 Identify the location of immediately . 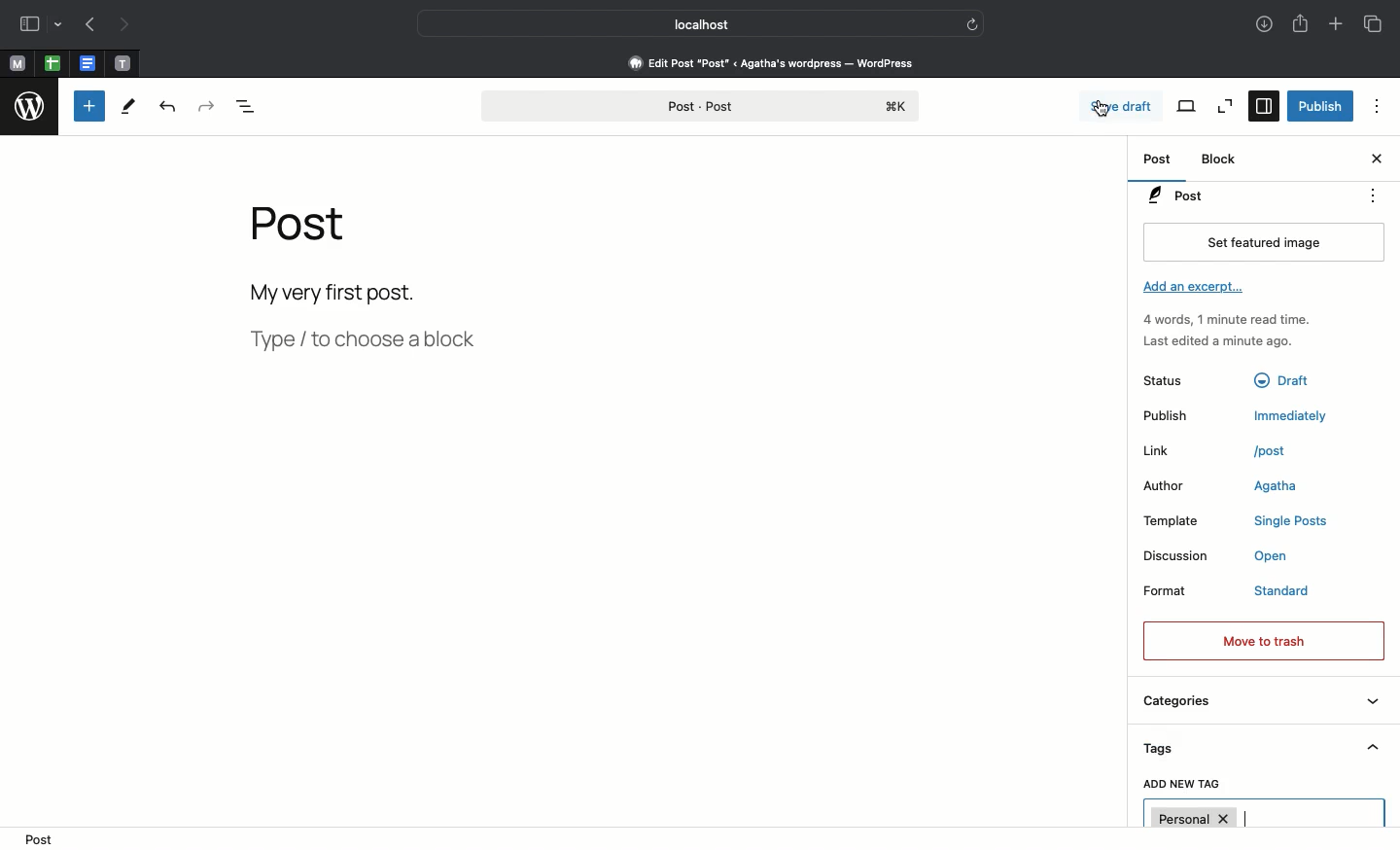
(1281, 416).